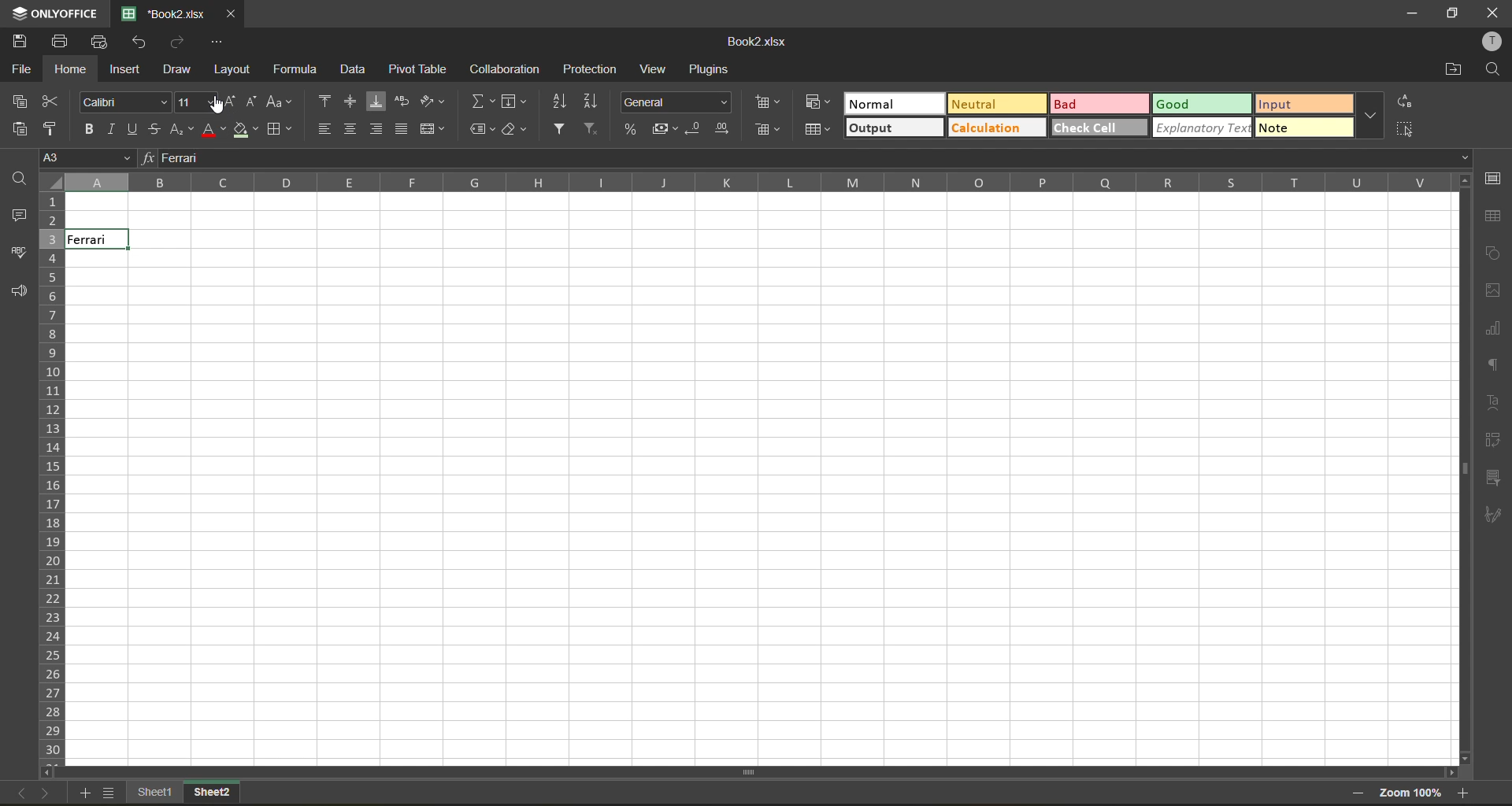 This screenshot has height=806, width=1512. Describe the element at coordinates (1497, 214) in the screenshot. I see `table` at that location.